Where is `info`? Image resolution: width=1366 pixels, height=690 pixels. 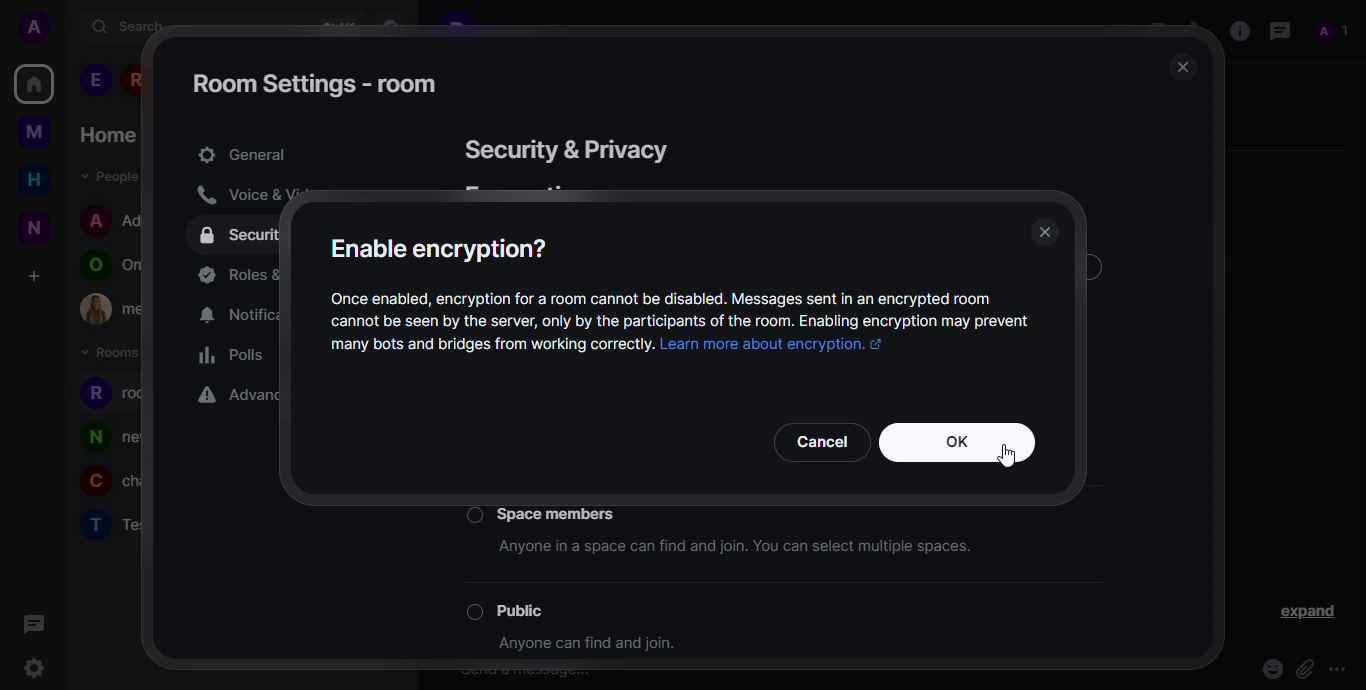 info is located at coordinates (1238, 29).